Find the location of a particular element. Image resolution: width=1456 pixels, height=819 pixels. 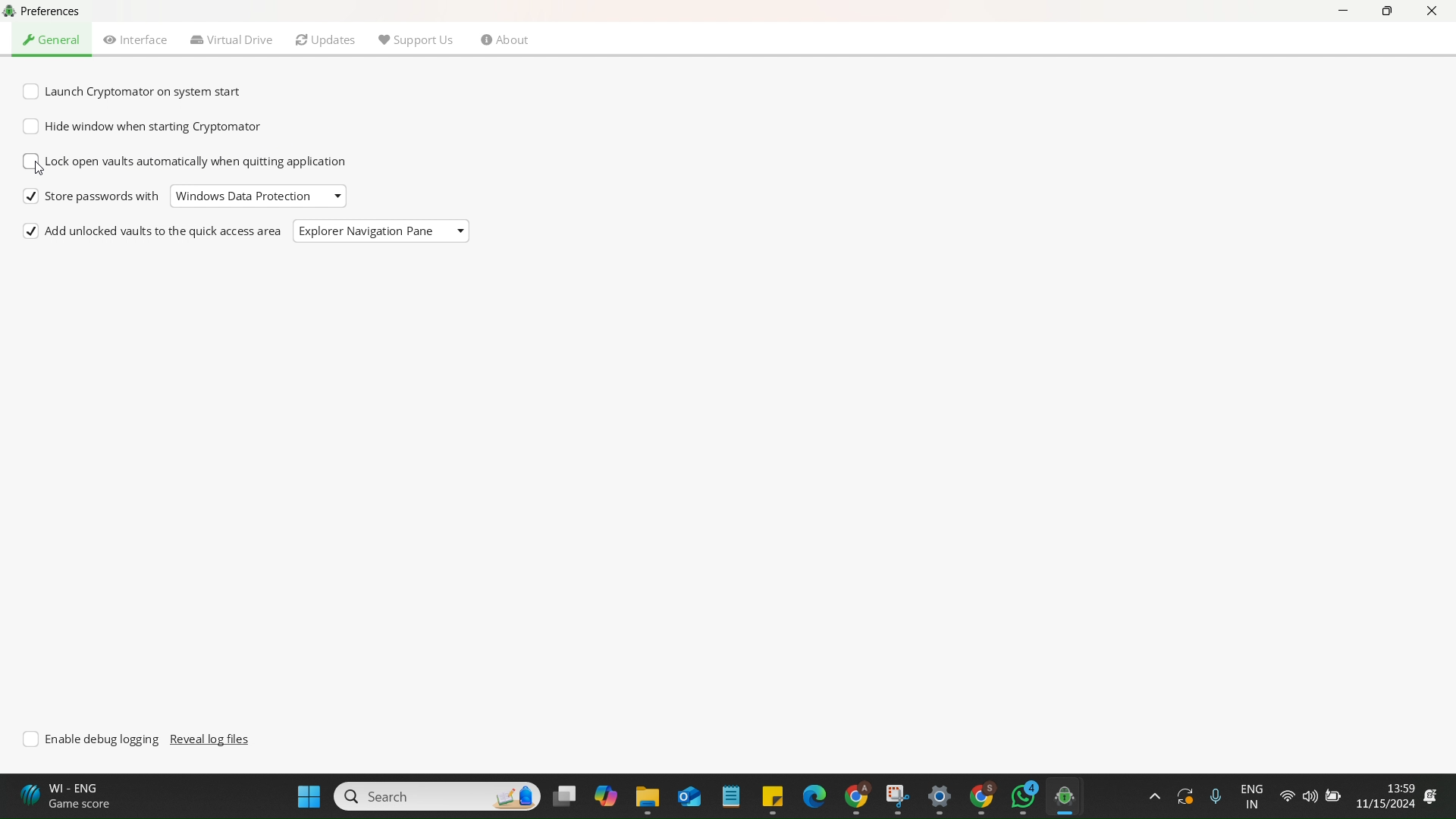

Drop Down is located at coordinates (461, 229).